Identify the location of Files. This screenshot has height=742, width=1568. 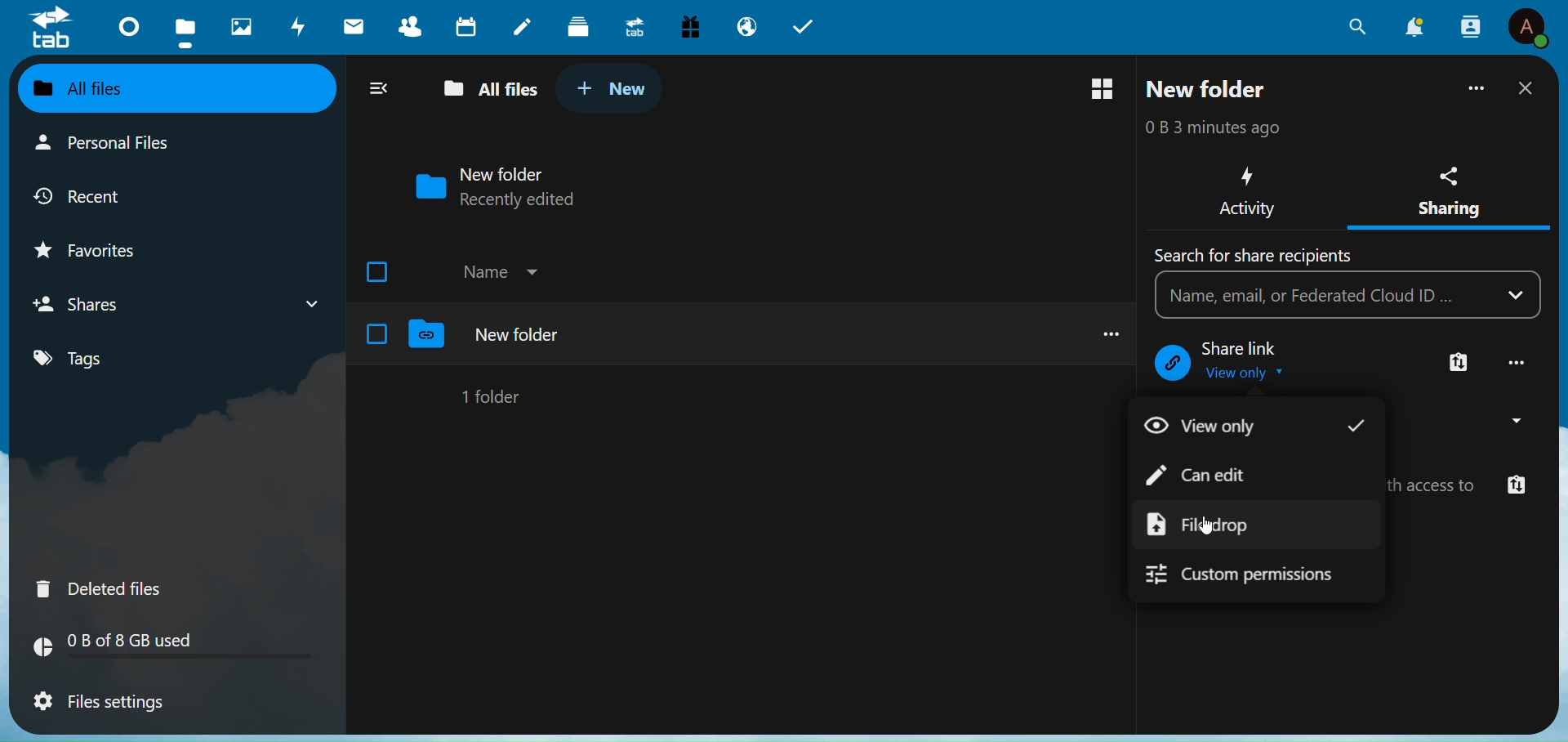
(184, 29).